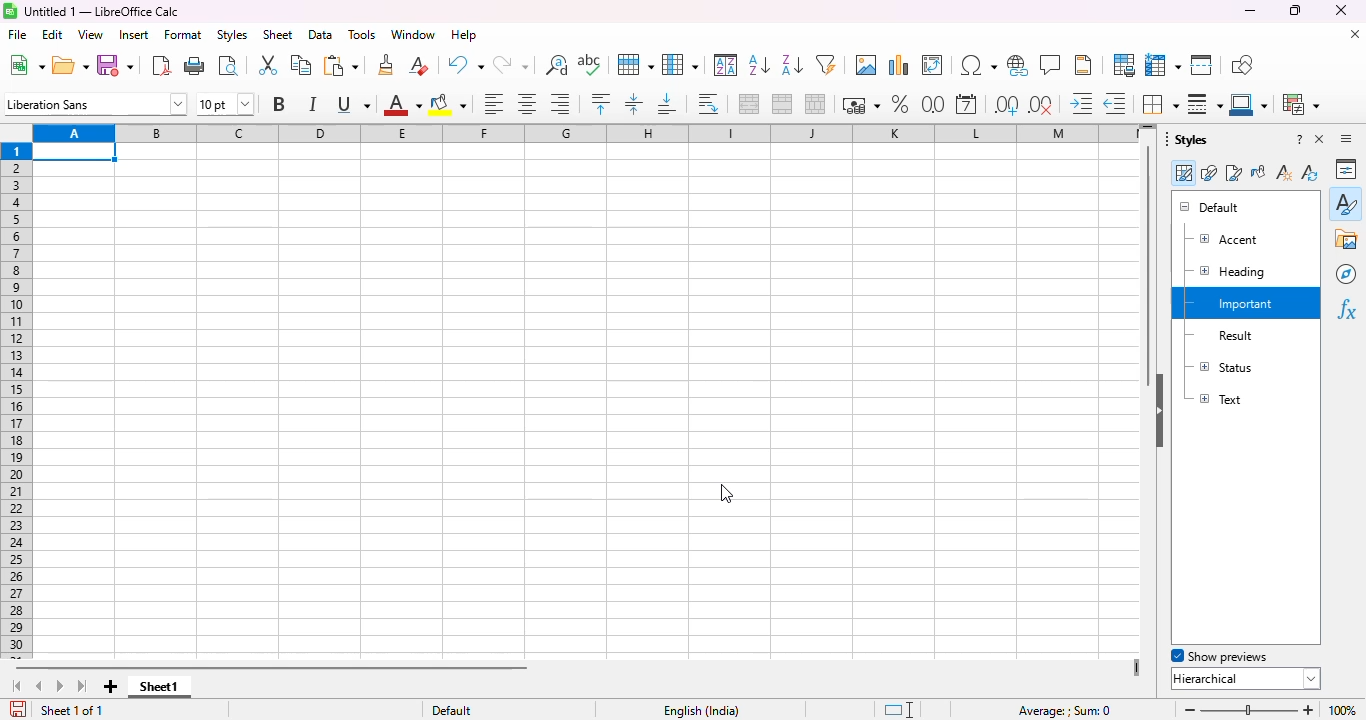 This screenshot has height=720, width=1366. What do you see at coordinates (1250, 10) in the screenshot?
I see `minimize` at bounding box center [1250, 10].